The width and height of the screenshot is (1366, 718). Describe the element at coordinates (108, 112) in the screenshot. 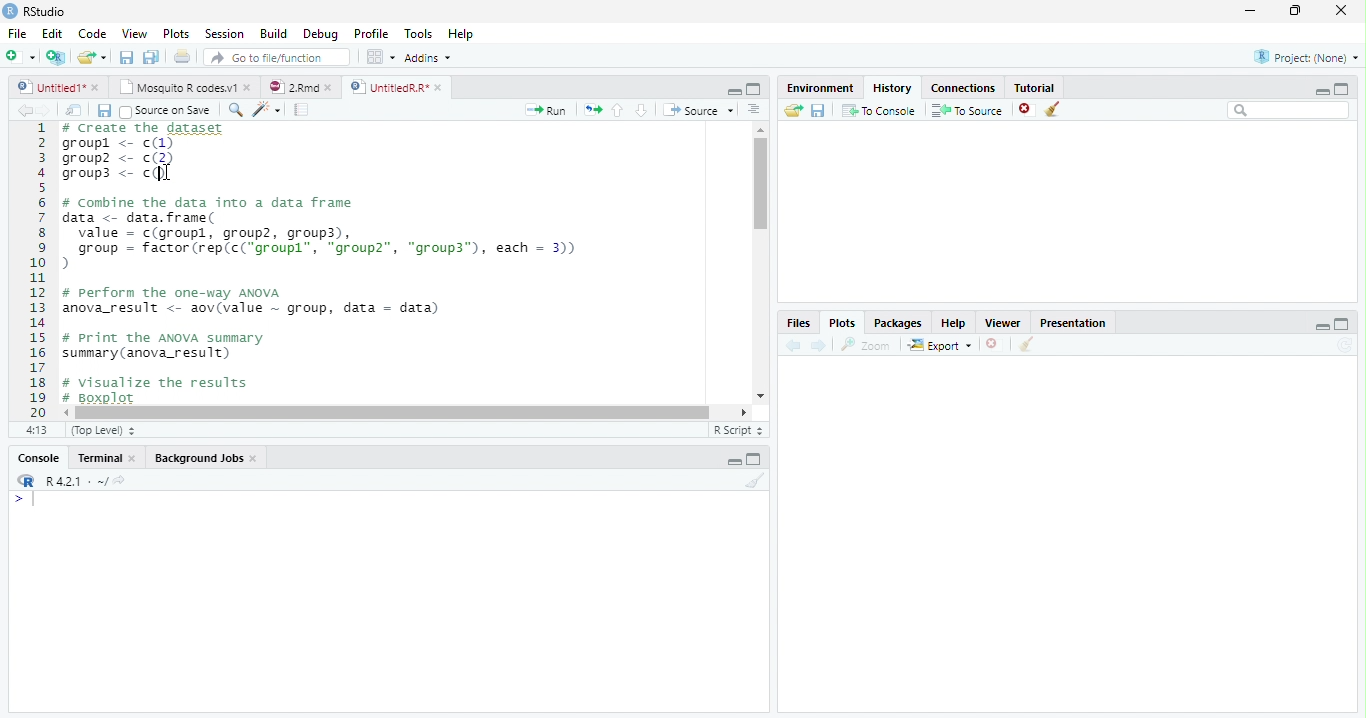

I see `Save all` at that location.